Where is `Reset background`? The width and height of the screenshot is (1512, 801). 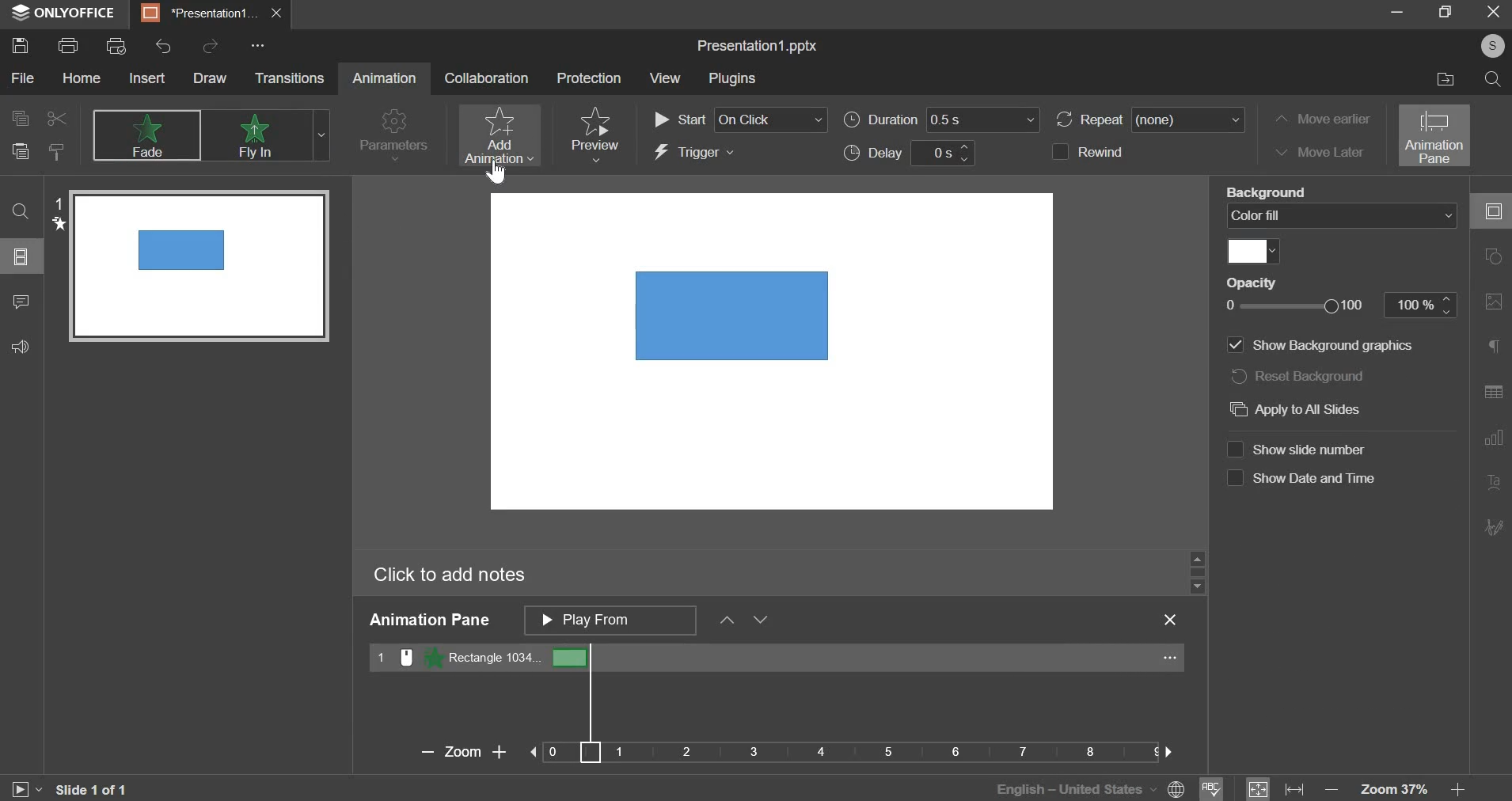
Reset background is located at coordinates (1317, 379).